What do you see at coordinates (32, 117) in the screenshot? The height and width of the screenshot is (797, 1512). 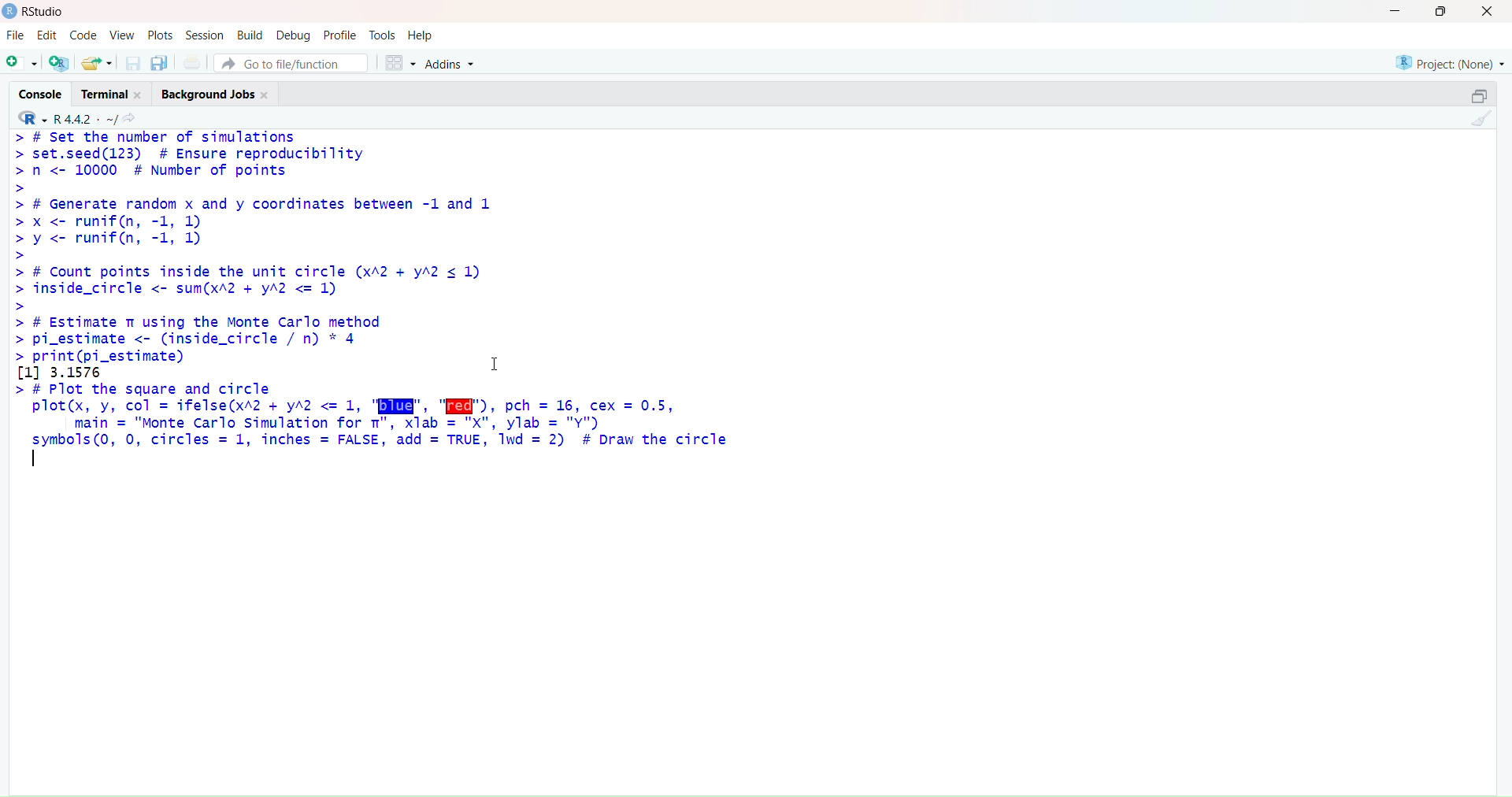 I see `R` at bounding box center [32, 117].